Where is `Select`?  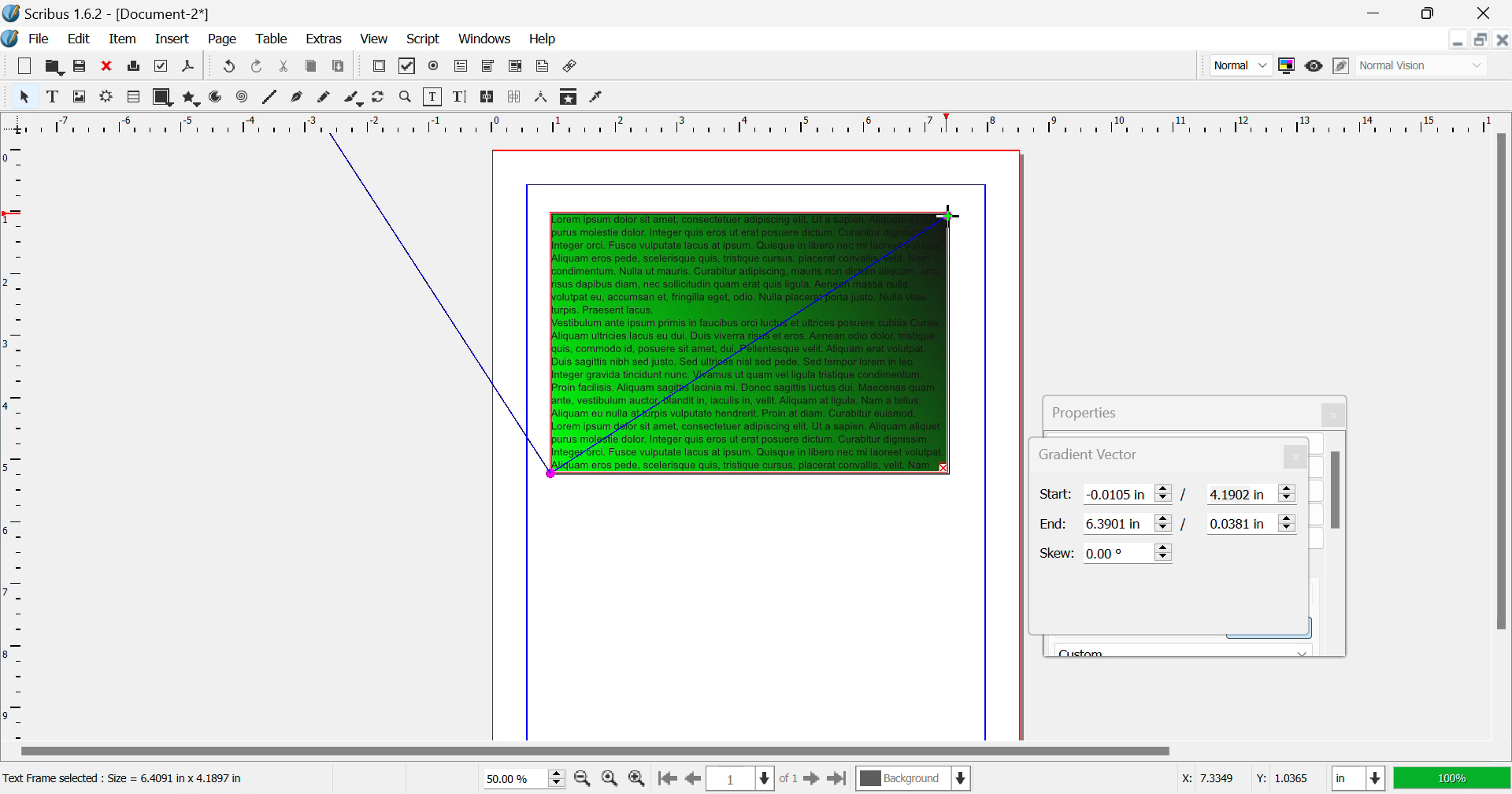
Select is located at coordinates (24, 95).